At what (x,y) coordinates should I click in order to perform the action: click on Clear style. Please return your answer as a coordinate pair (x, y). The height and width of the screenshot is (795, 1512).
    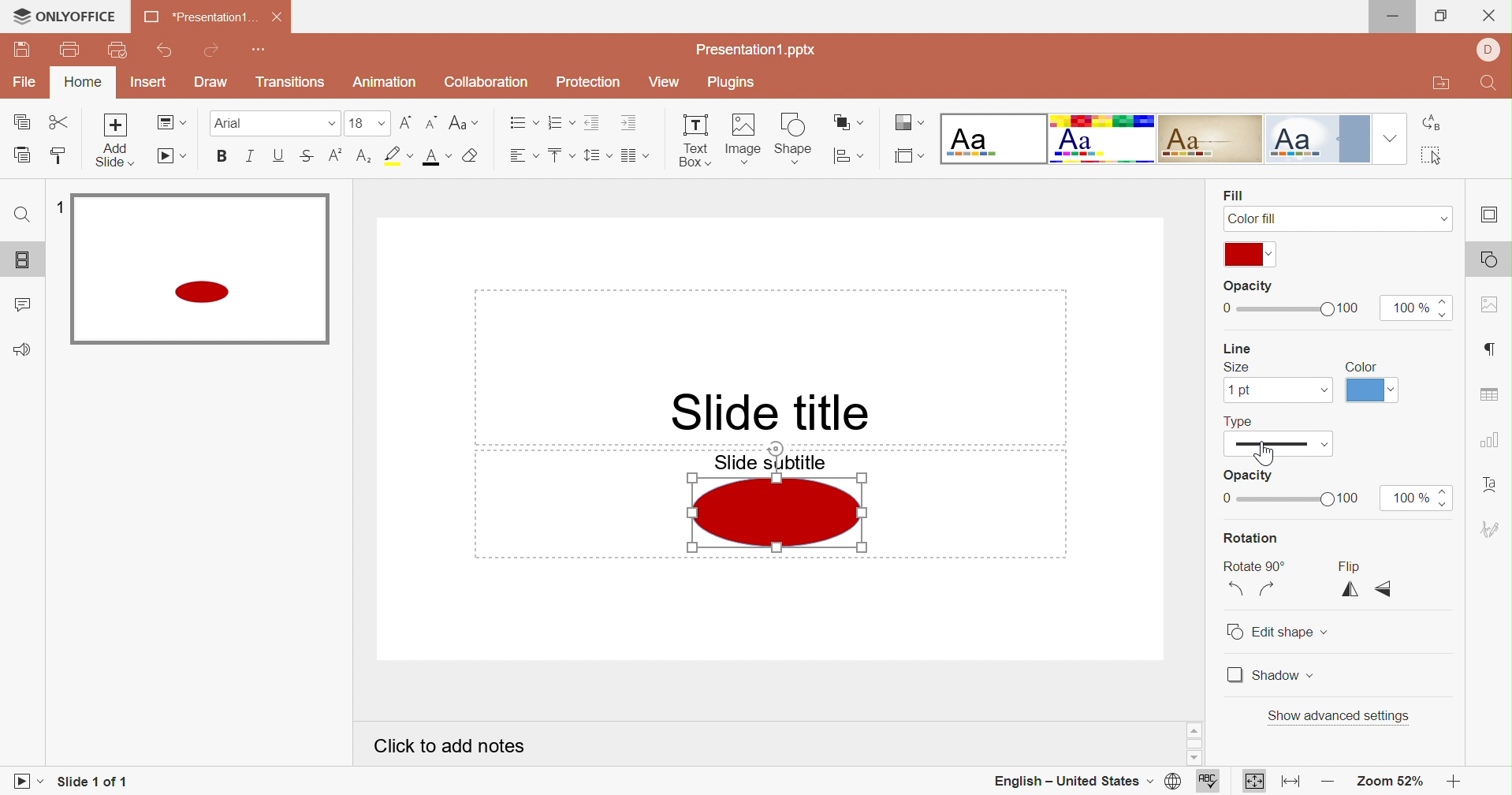
    Looking at the image, I should click on (473, 156).